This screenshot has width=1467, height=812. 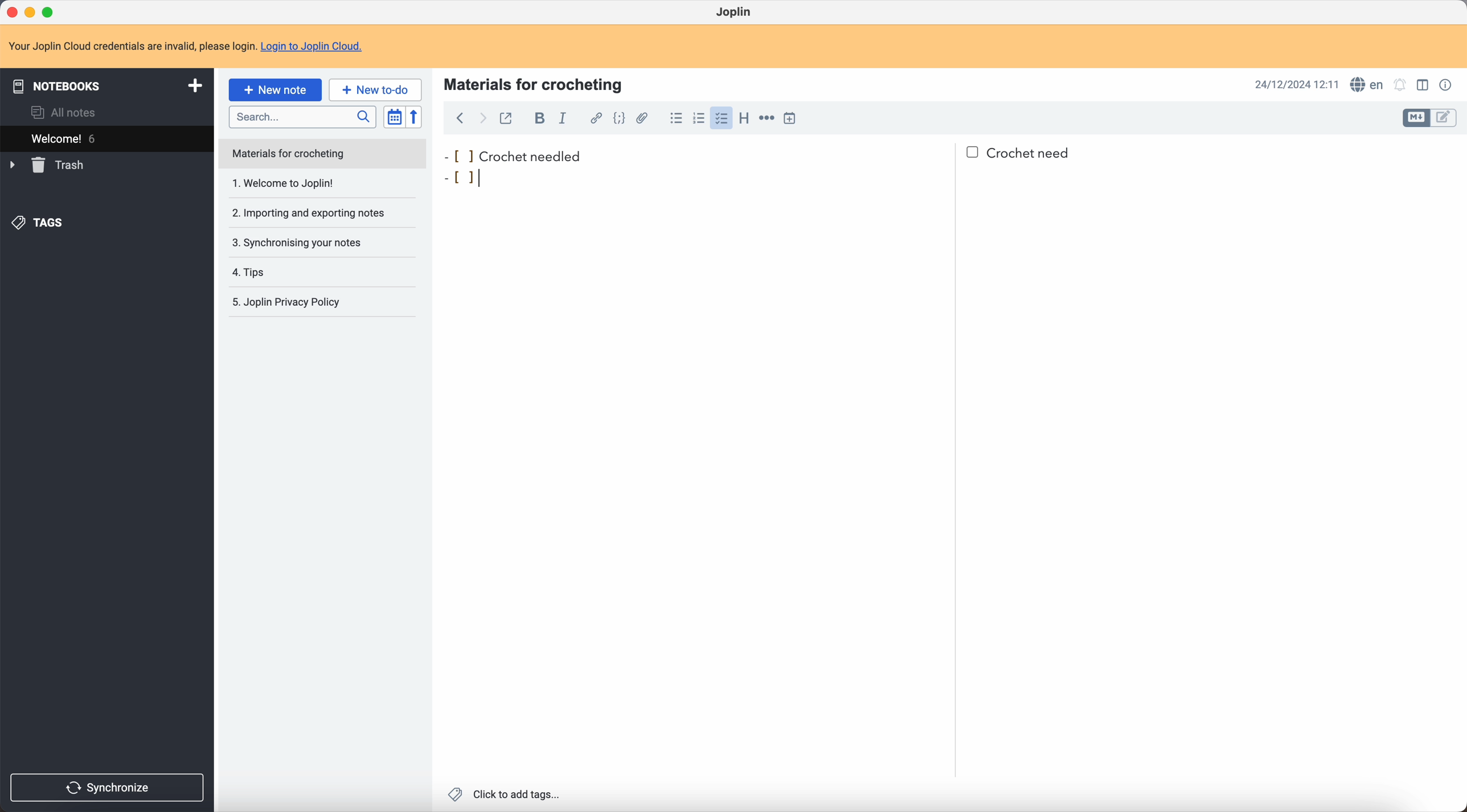 I want to click on Joplin privacy policy, so click(x=293, y=304).